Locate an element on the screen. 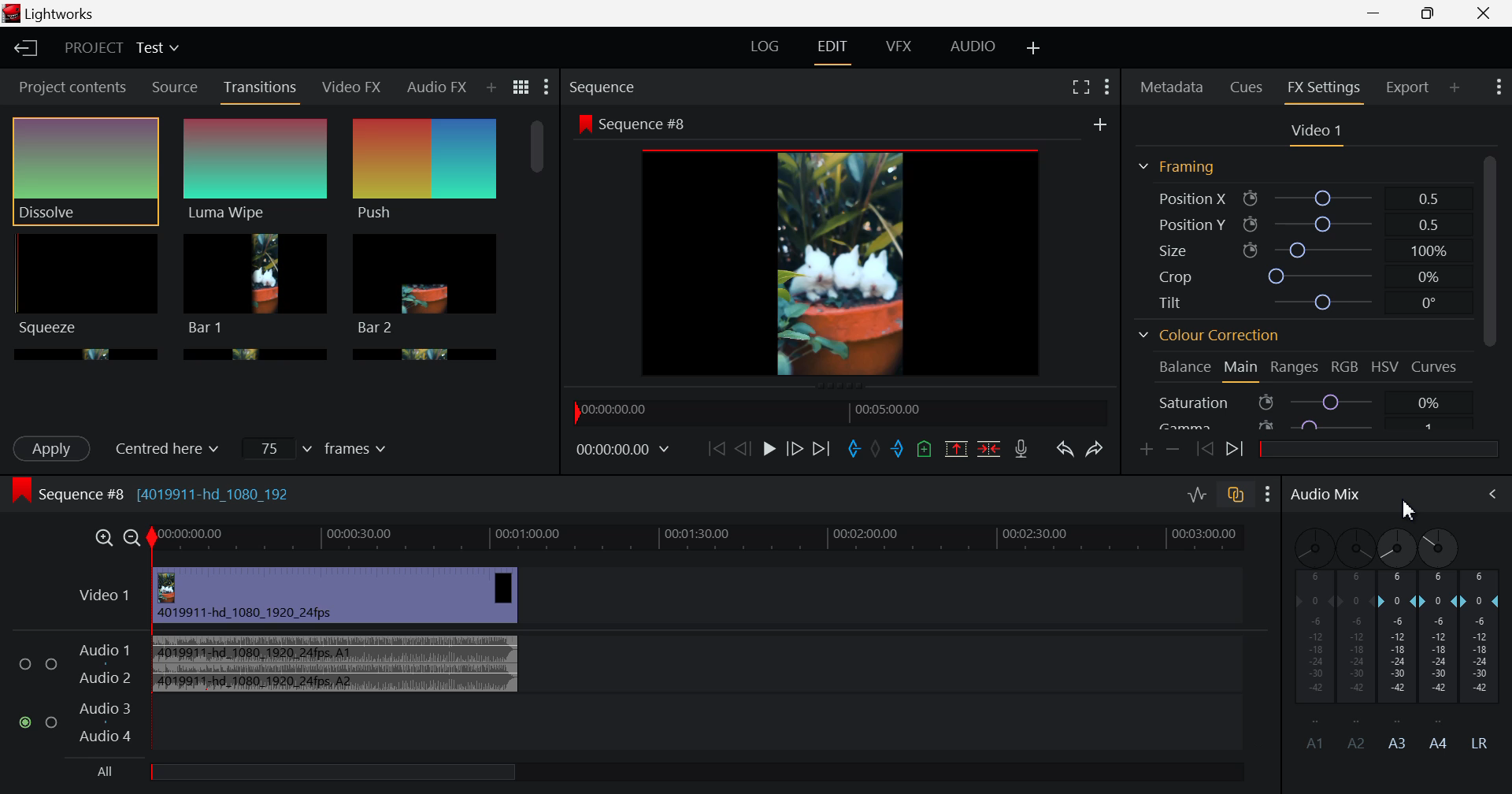 Image resolution: width=1512 pixels, height=794 pixels. Go Forward is located at coordinates (795, 448).